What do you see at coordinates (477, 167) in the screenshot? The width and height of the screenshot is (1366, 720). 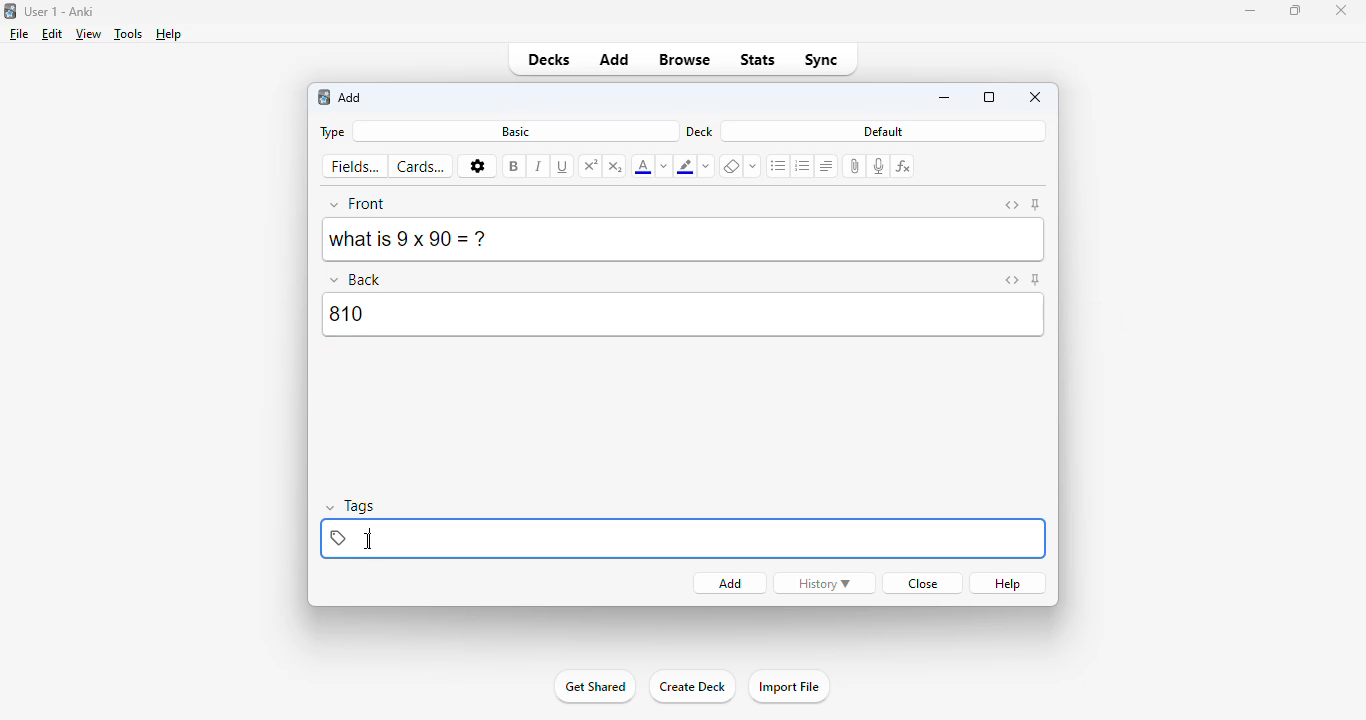 I see `options` at bounding box center [477, 167].